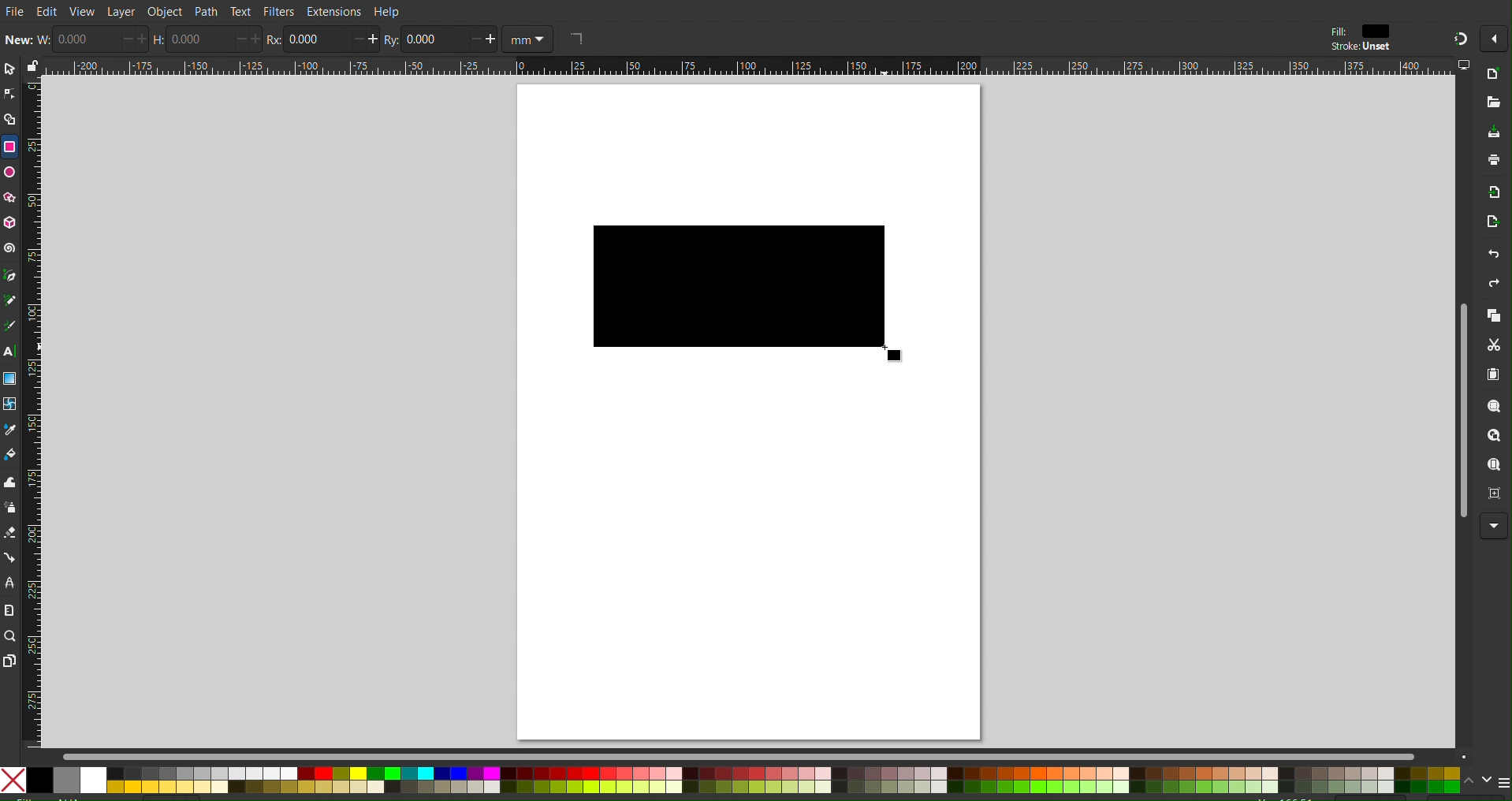 Image resolution: width=1512 pixels, height=801 pixels. I want to click on More Options, so click(1494, 525).